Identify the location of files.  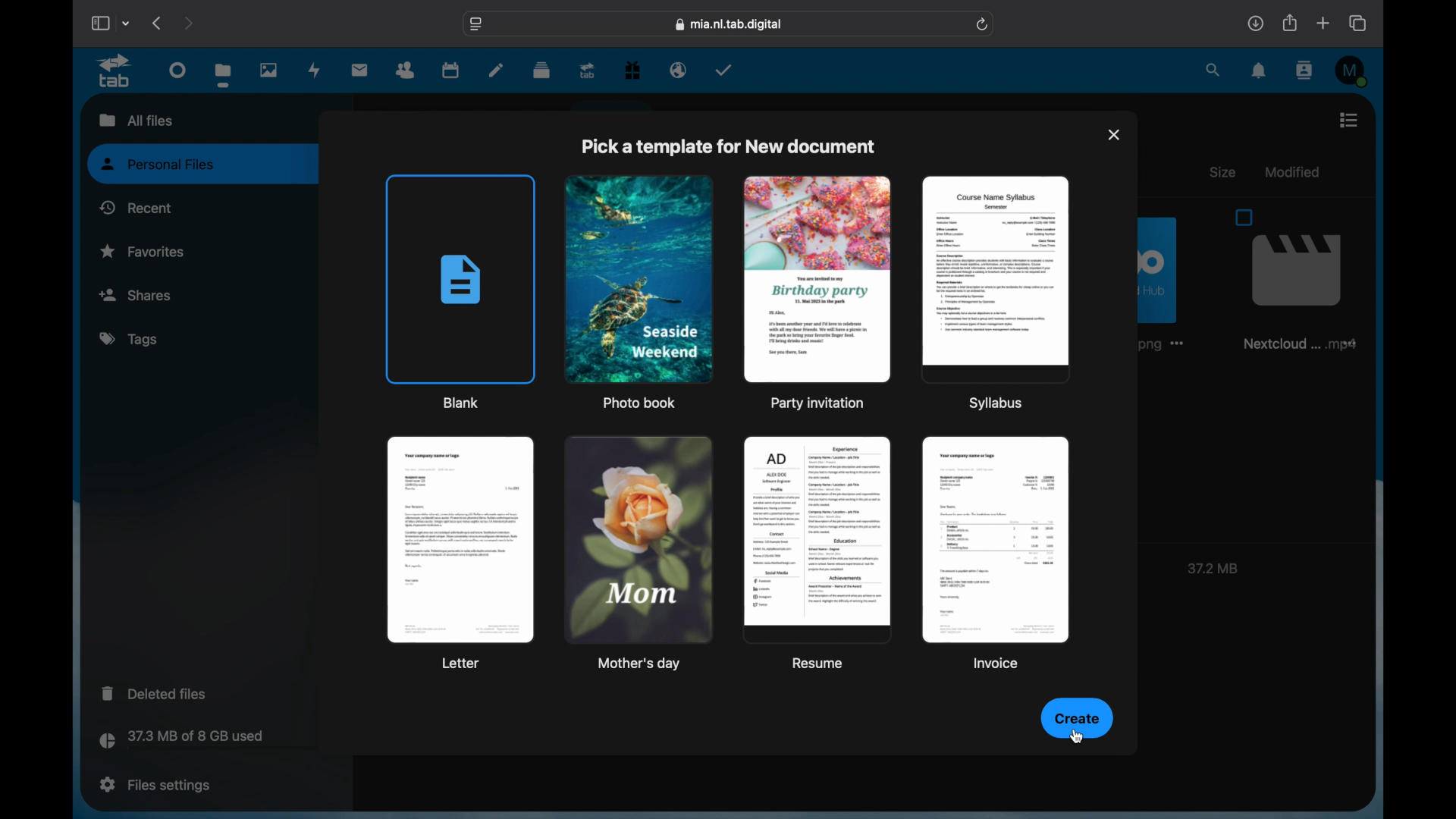
(223, 74).